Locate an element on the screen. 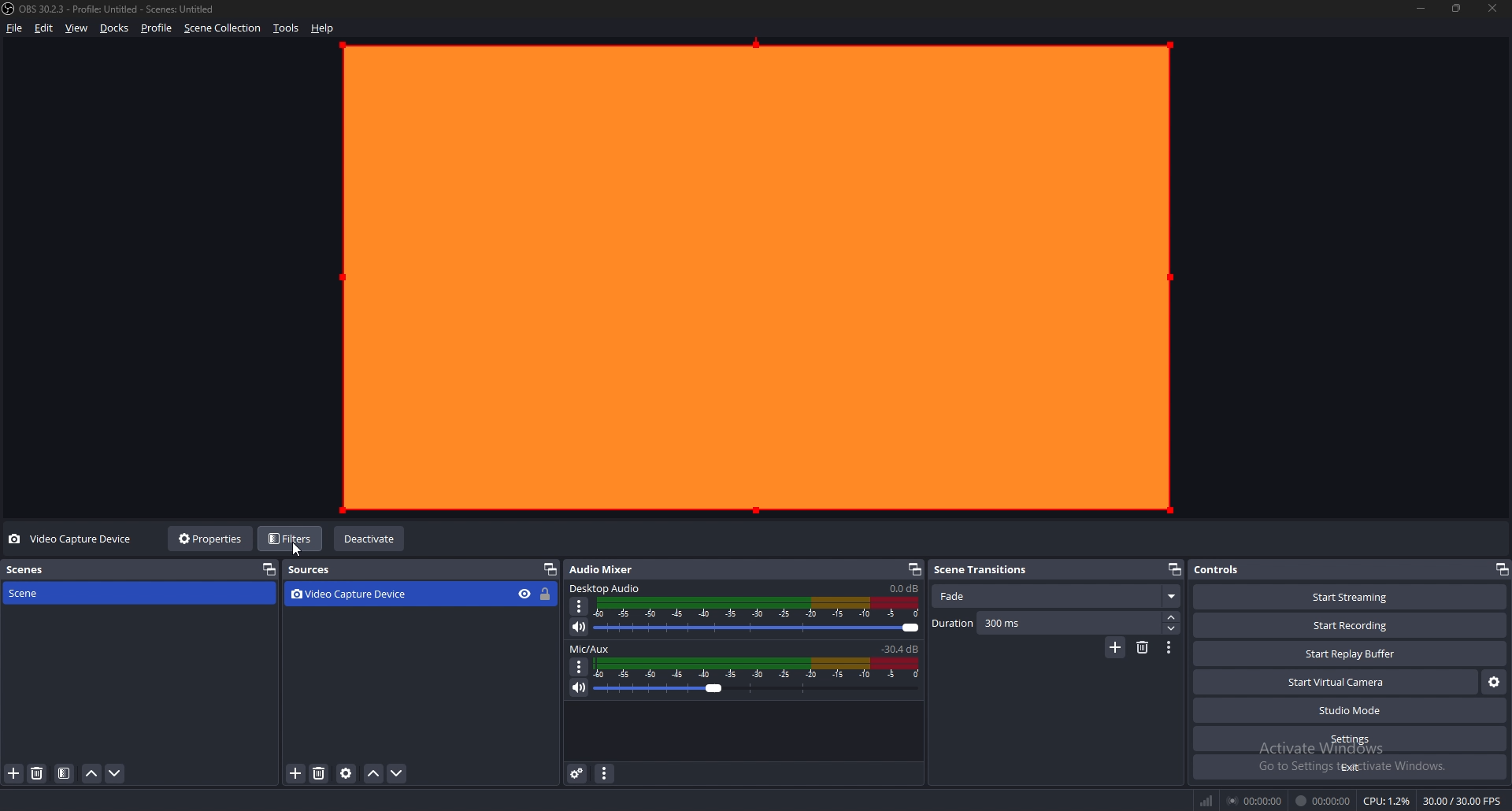  CPU: 1.2% is located at coordinates (1388, 801).